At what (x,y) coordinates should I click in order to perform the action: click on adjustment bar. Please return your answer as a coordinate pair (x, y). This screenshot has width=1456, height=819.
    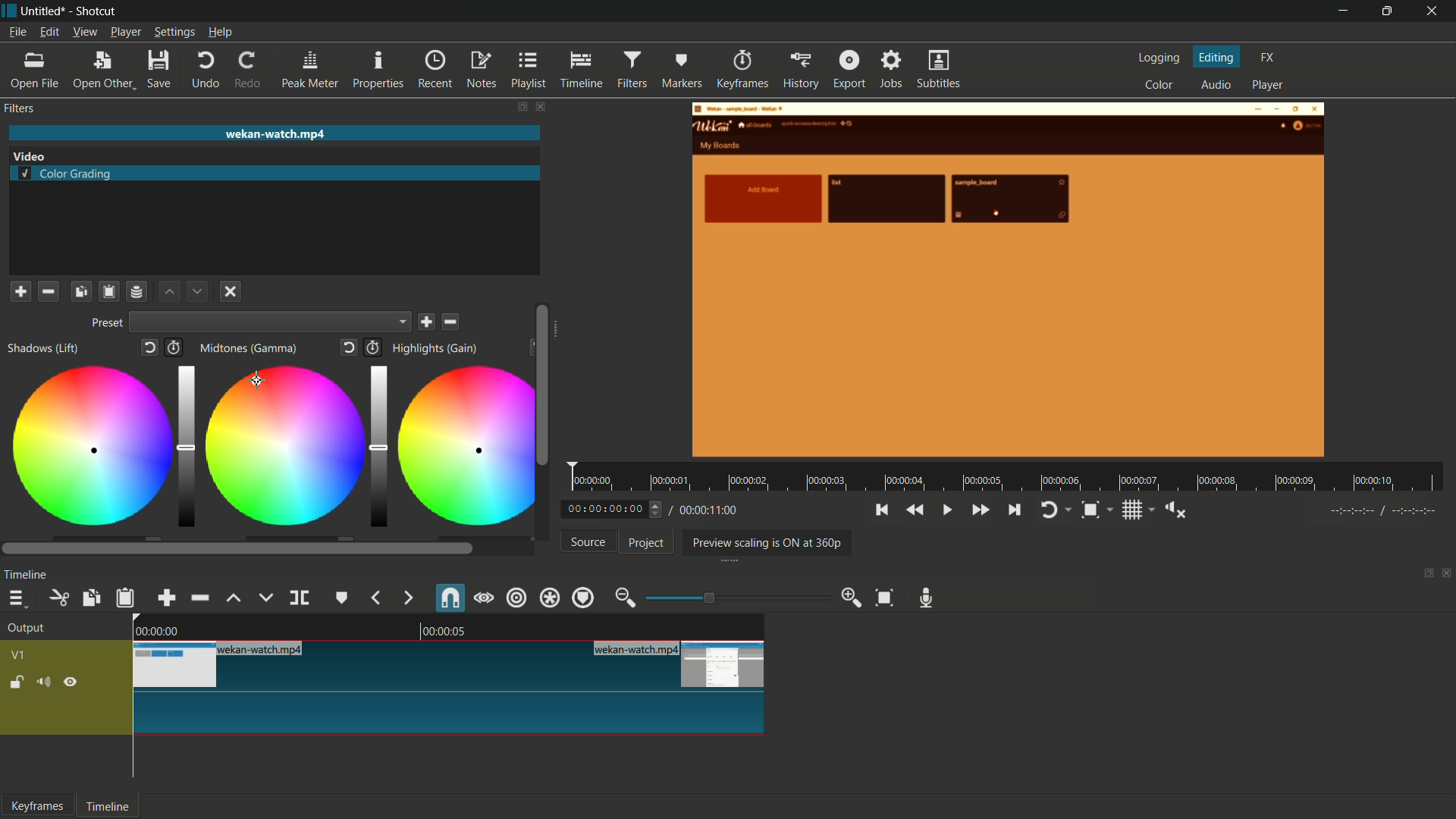
    Looking at the image, I should click on (376, 446).